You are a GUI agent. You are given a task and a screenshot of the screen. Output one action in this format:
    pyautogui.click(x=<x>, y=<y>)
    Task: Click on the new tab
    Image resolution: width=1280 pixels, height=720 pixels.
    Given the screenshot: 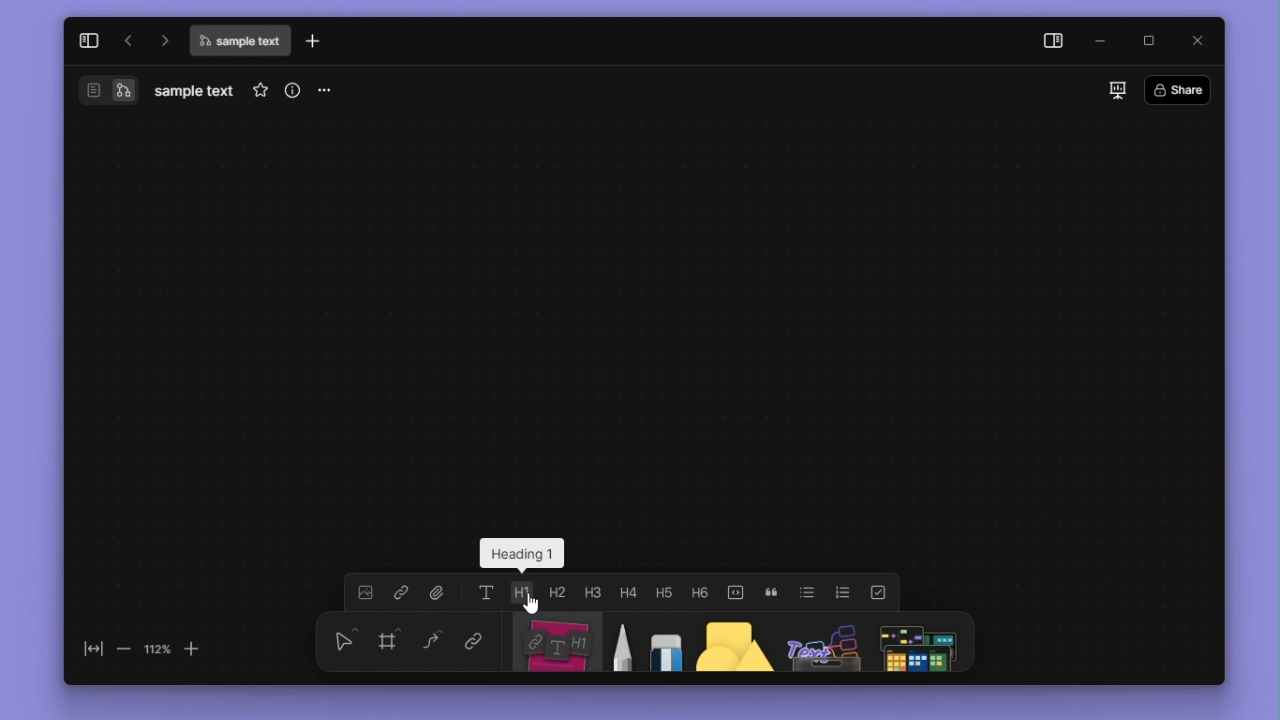 What is the action you would take?
    pyautogui.click(x=313, y=40)
    